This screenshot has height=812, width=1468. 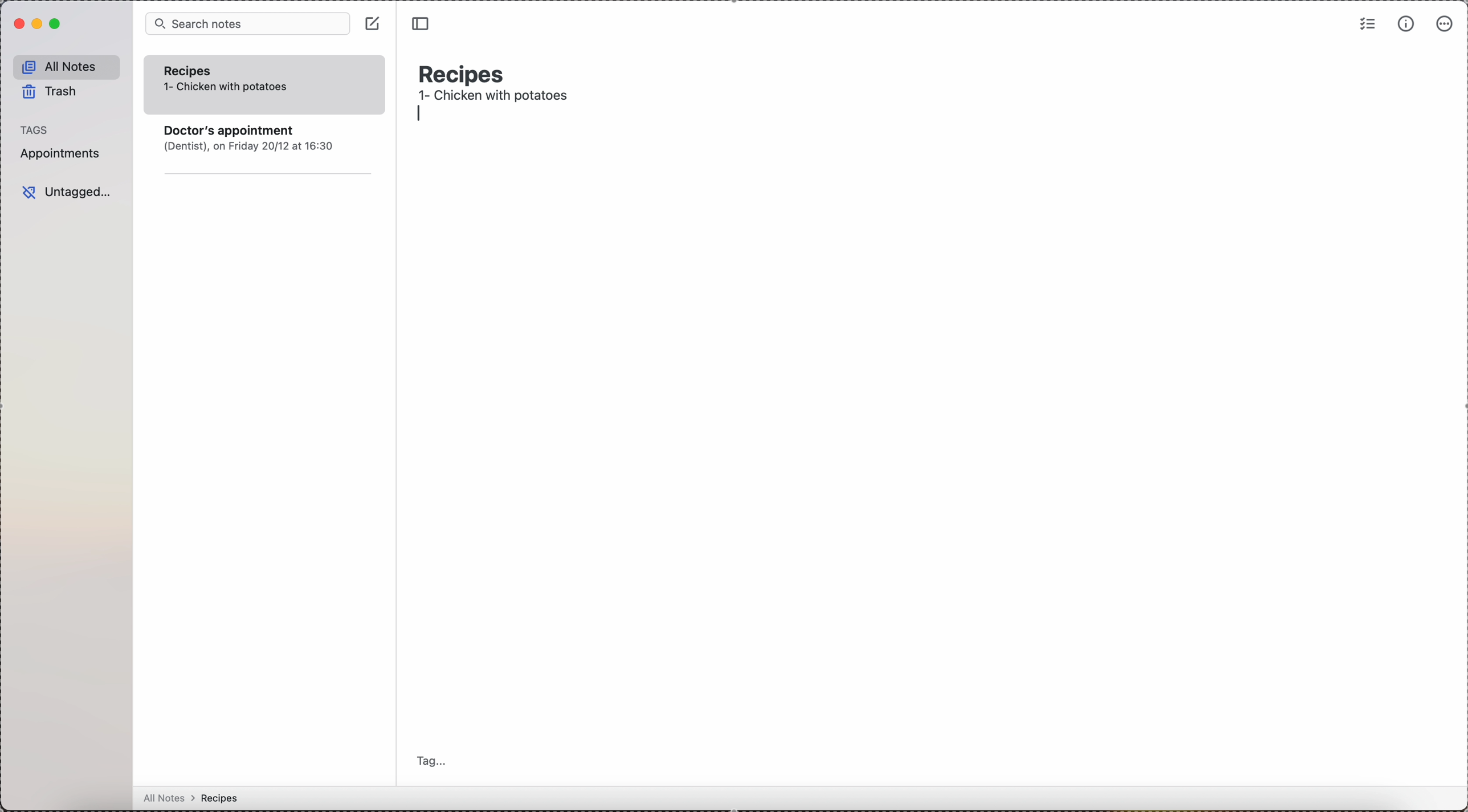 What do you see at coordinates (63, 156) in the screenshot?
I see `appointments tag` at bounding box center [63, 156].